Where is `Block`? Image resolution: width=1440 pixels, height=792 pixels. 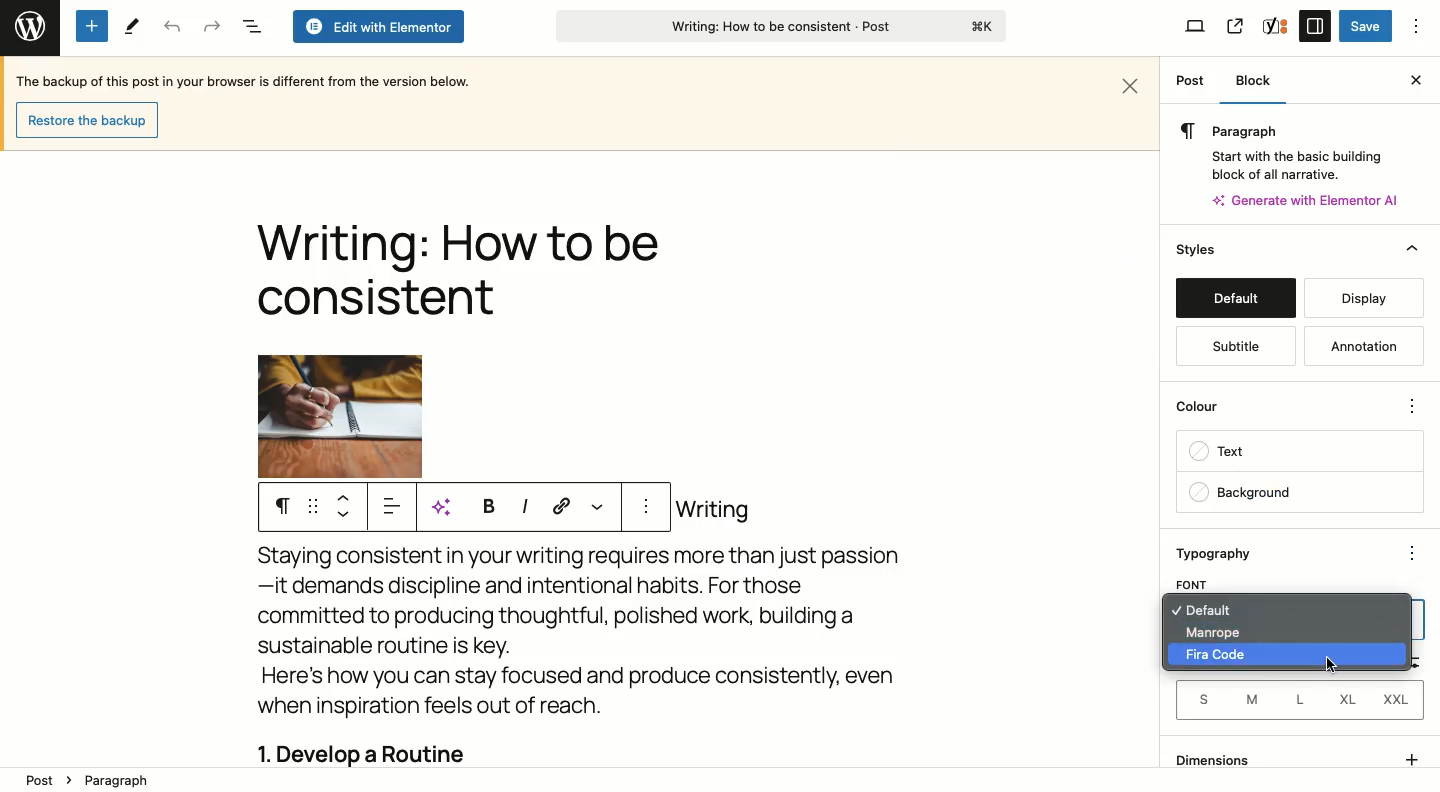 Block is located at coordinates (1261, 81).